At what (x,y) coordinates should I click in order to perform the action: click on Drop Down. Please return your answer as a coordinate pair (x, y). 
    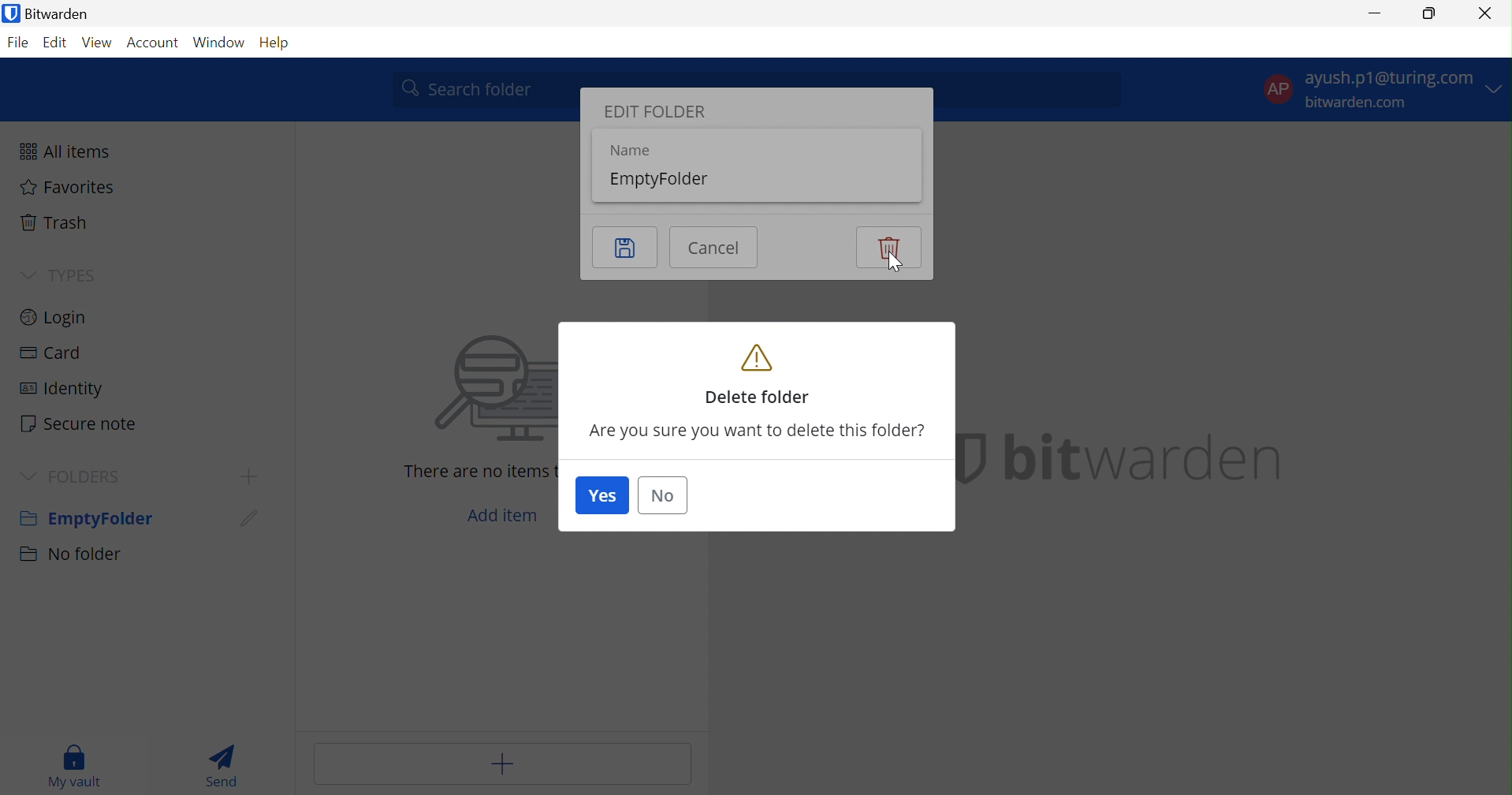
    Looking at the image, I should click on (26, 274).